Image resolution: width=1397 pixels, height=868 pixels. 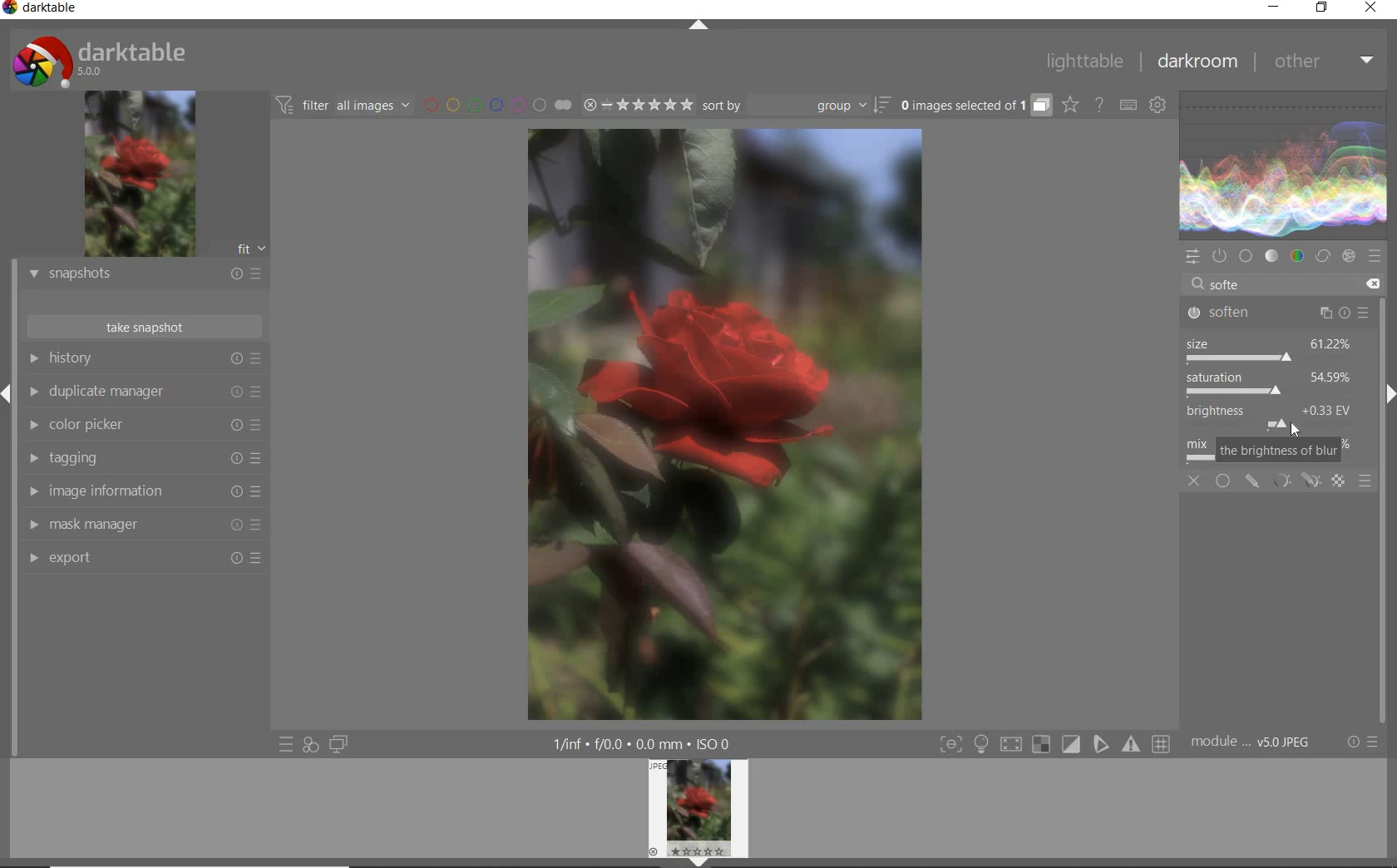 I want to click on display a second darkroom image window, so click(x=338, y=745).